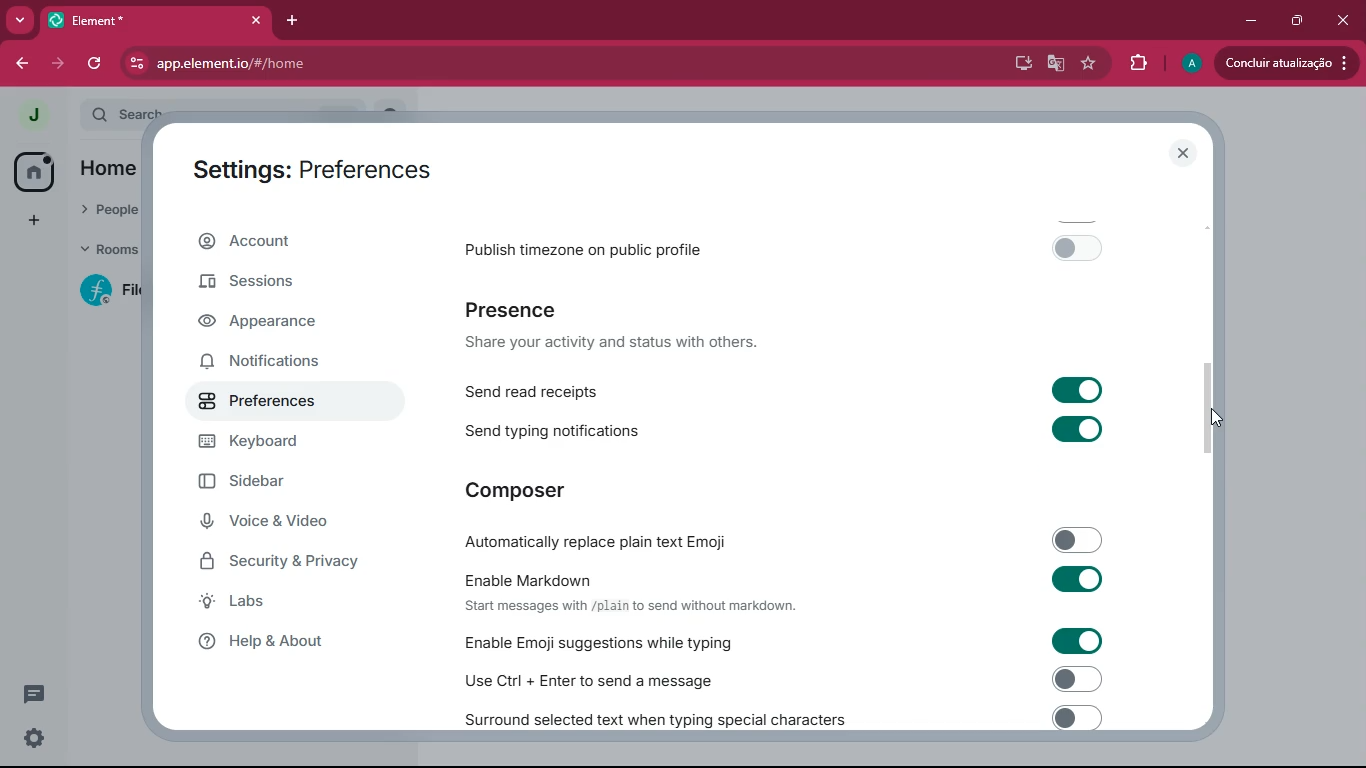  I want to click on use ctrl enter, so click(776, 678).